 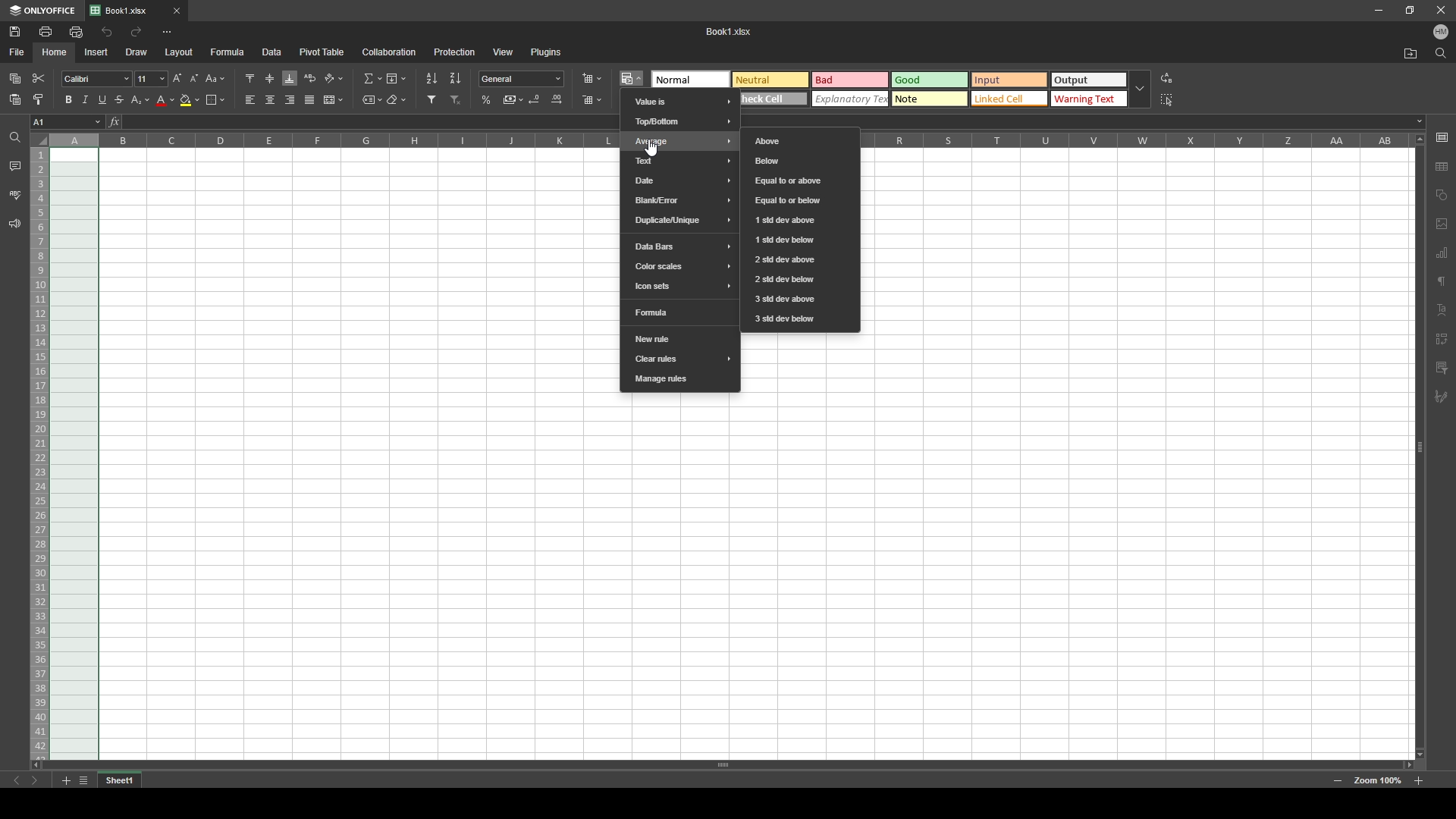 What do you see at coordinates (1411, 55) in the screenshot?
I see `open file location` at bounding box center [1411, 55].